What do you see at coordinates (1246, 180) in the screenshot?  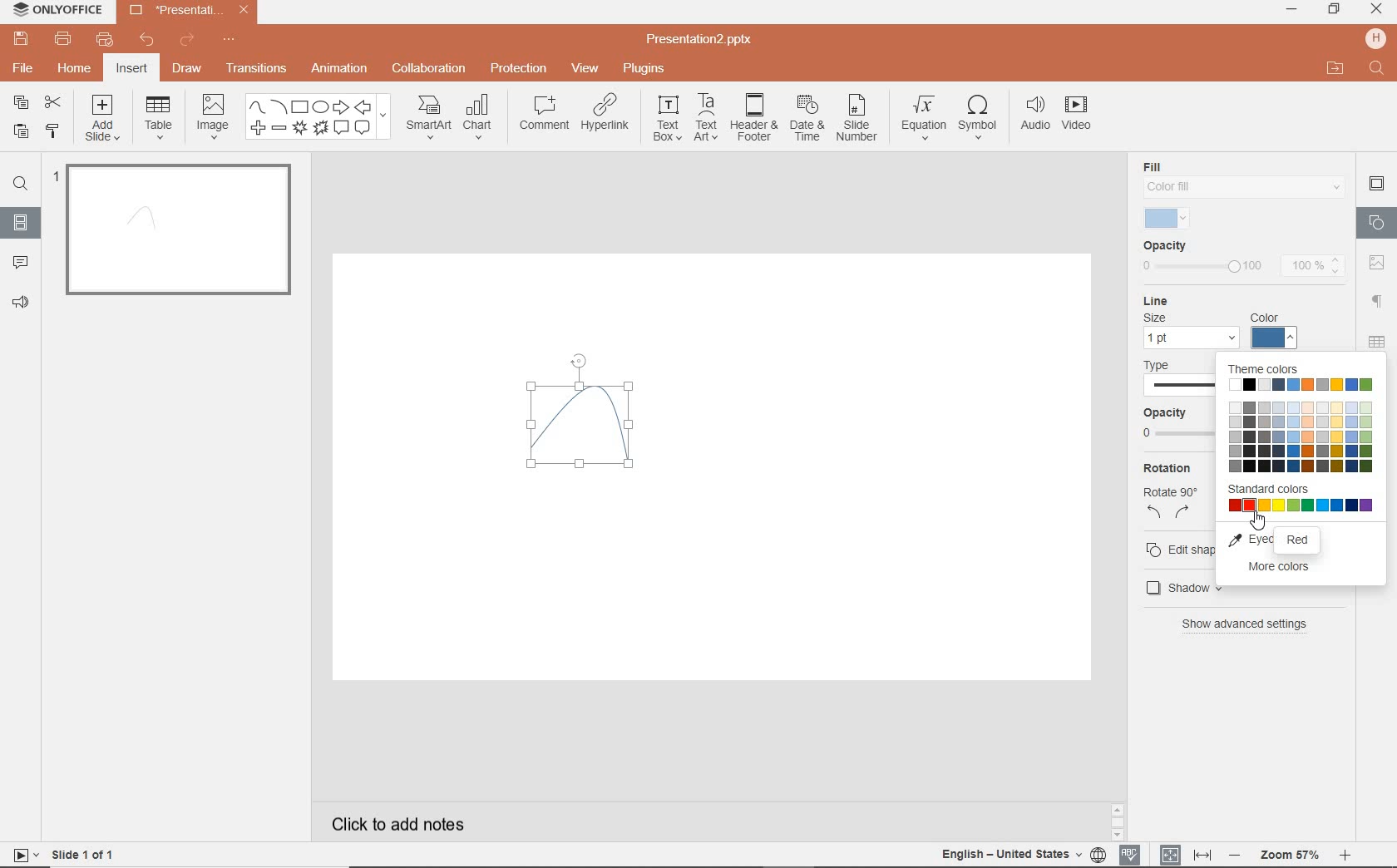 I see `fill` at bounding box center [1246, 180].